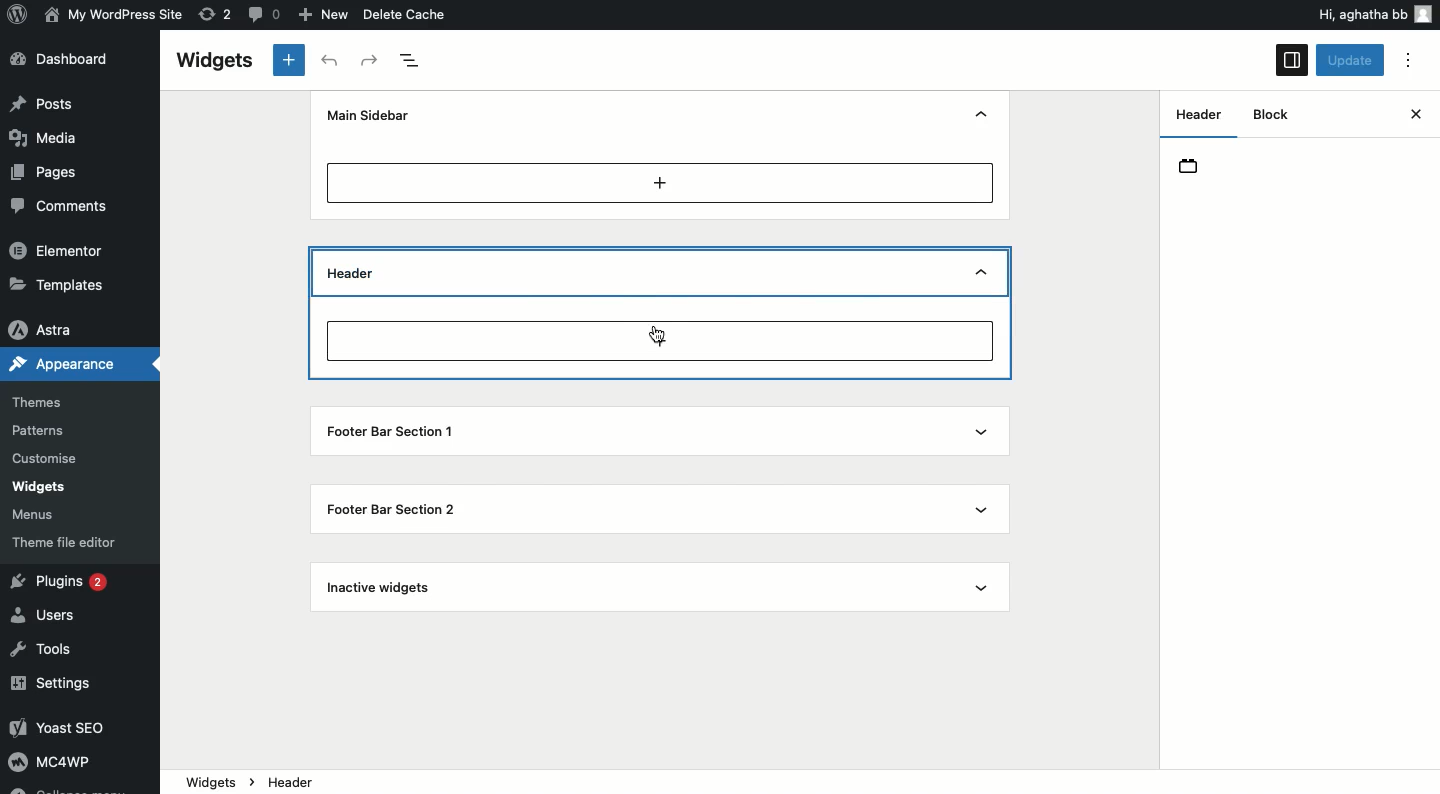 The height and width of the screenshot is (794, 1440). Describe the element at coordinates (36, 516) in the screenshot. I see `Menus` at that location.